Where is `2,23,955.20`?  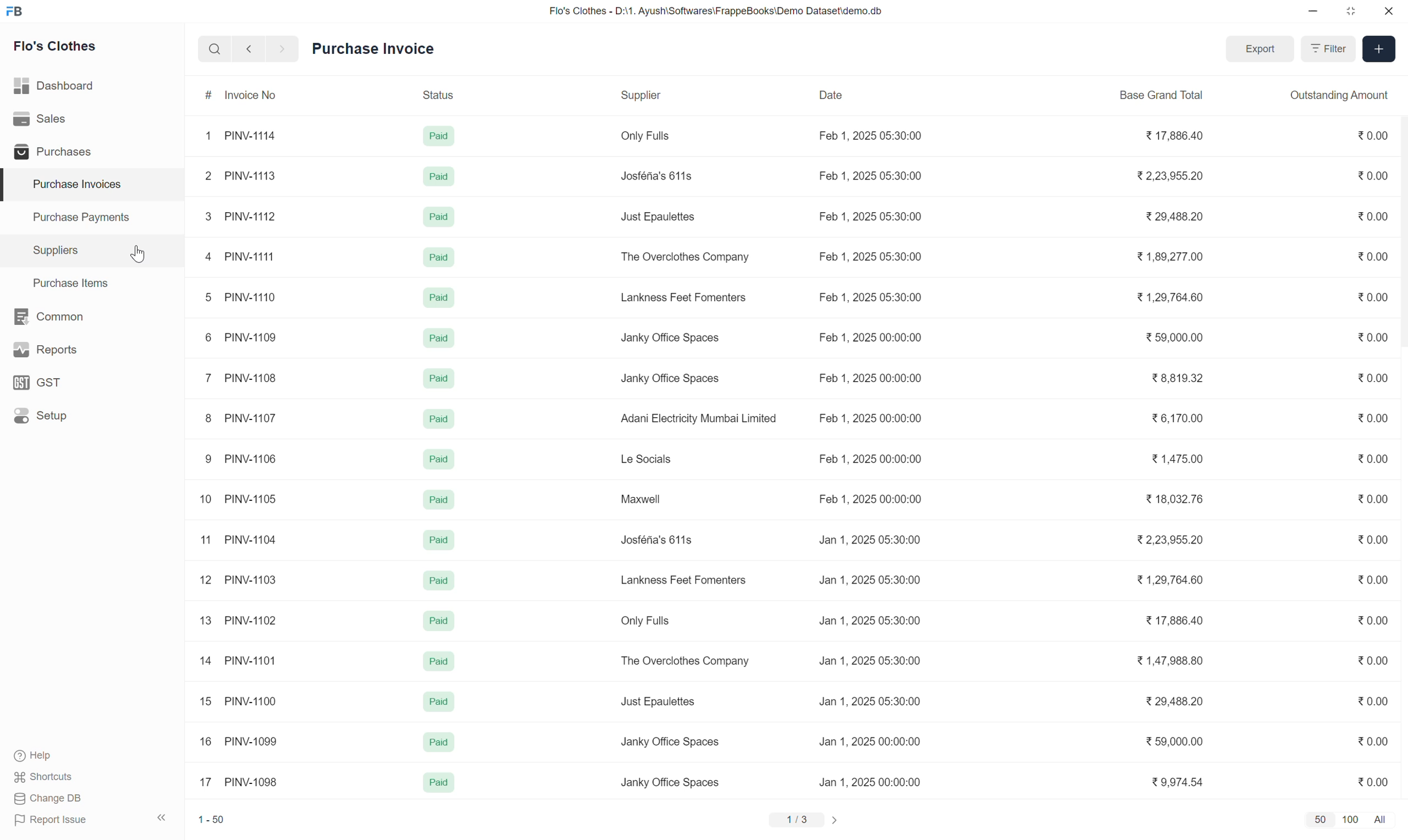
2,23,955.20 is located at coordinates (1174, 540).